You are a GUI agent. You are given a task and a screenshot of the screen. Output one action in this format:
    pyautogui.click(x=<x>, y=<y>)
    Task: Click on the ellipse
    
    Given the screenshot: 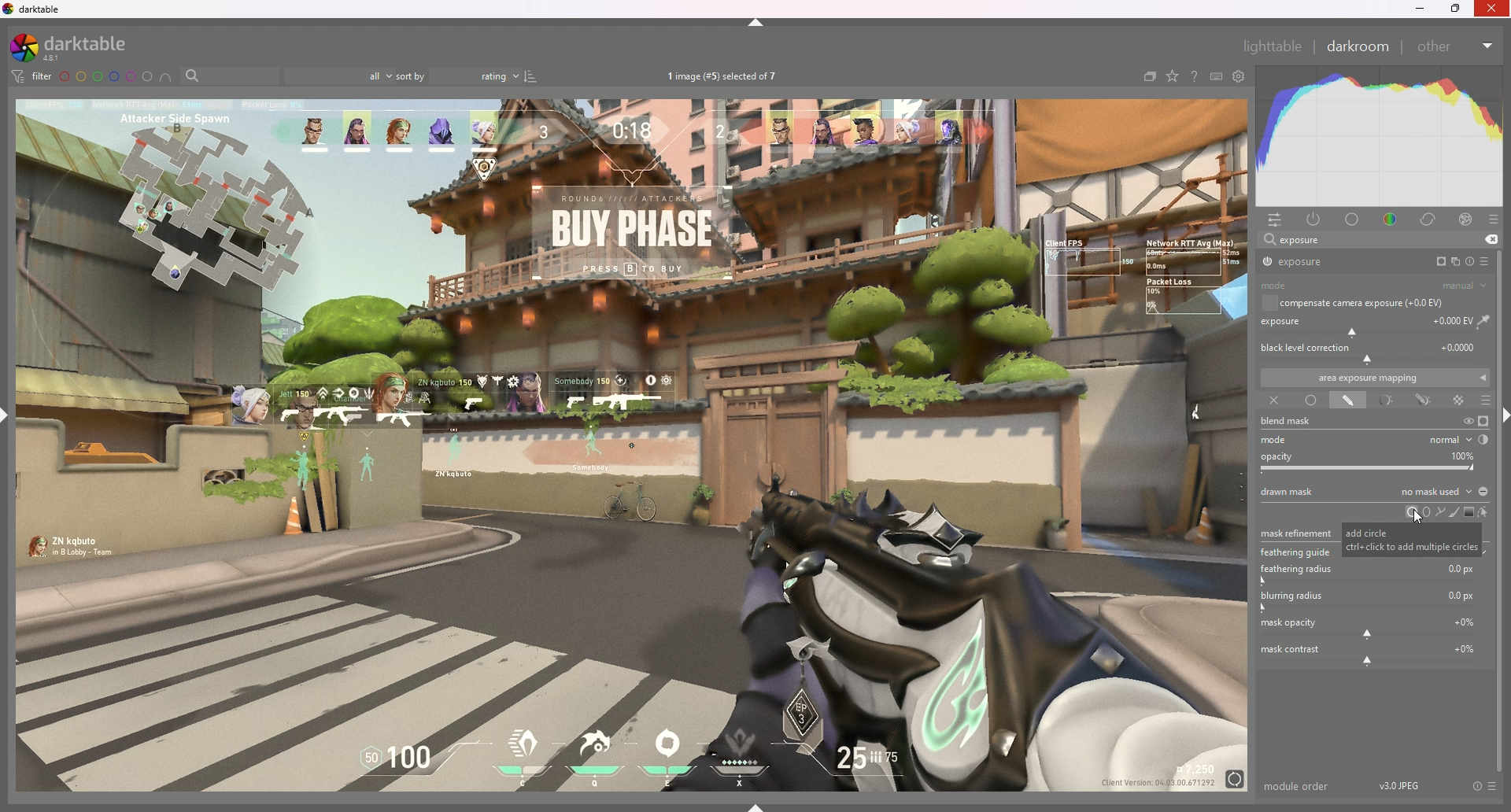 What is the action you would take?
    pyautogui.click(x=1427, y=511)
    